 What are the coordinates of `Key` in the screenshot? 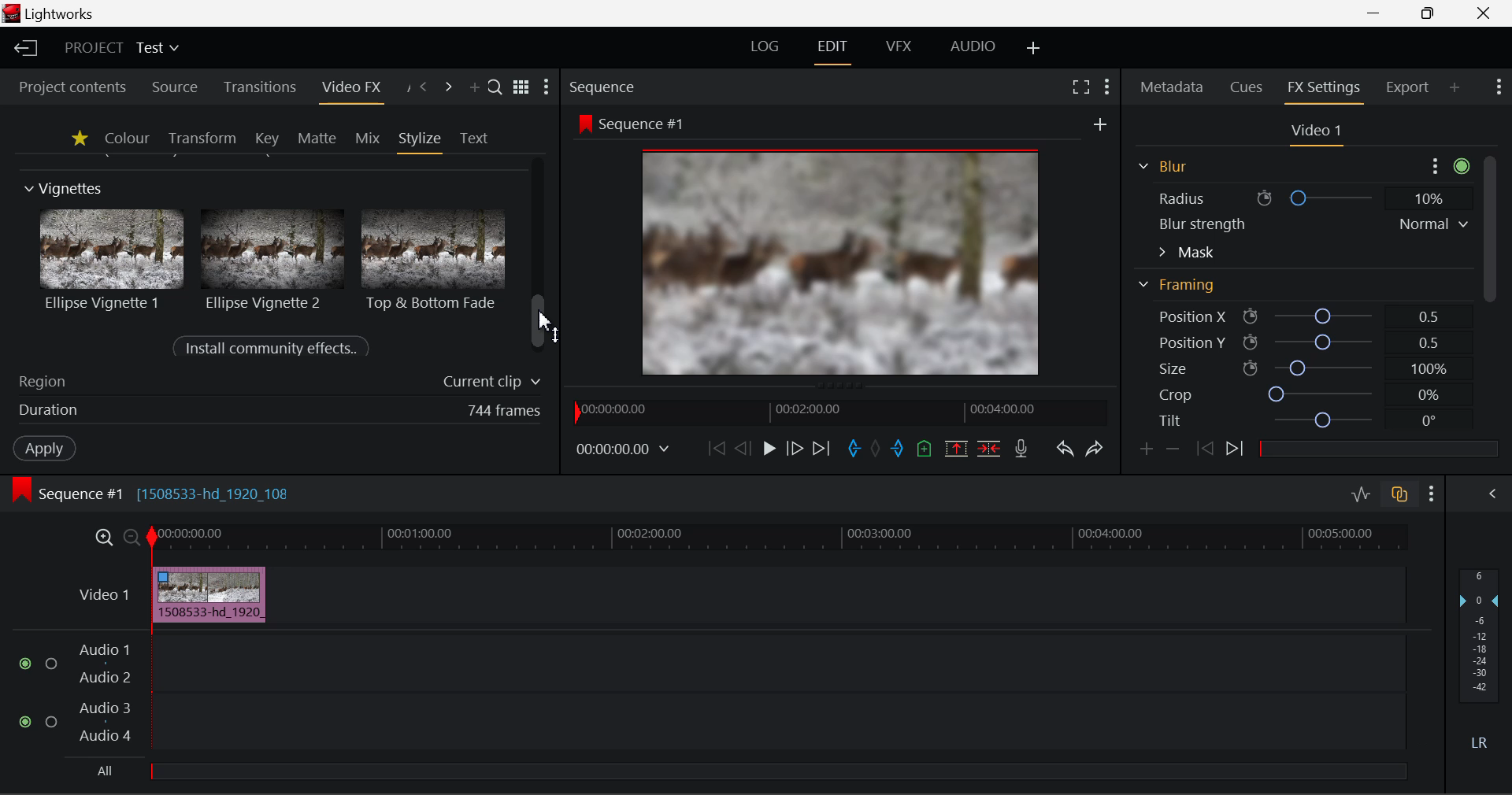 It's located at (266, 139).